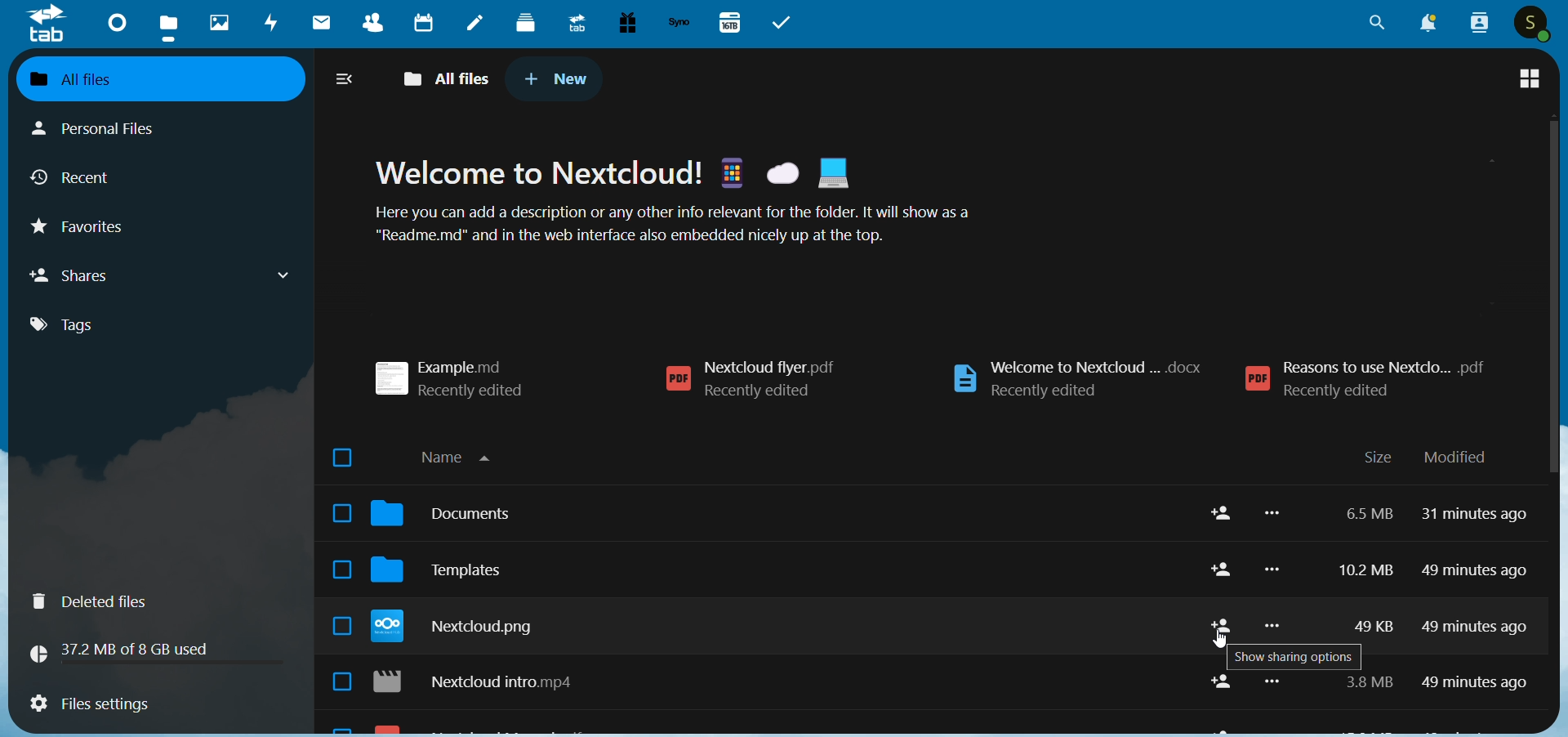 The width and height of the screenshot is (1568, 737). I want to click on recent, so click(78, 181).